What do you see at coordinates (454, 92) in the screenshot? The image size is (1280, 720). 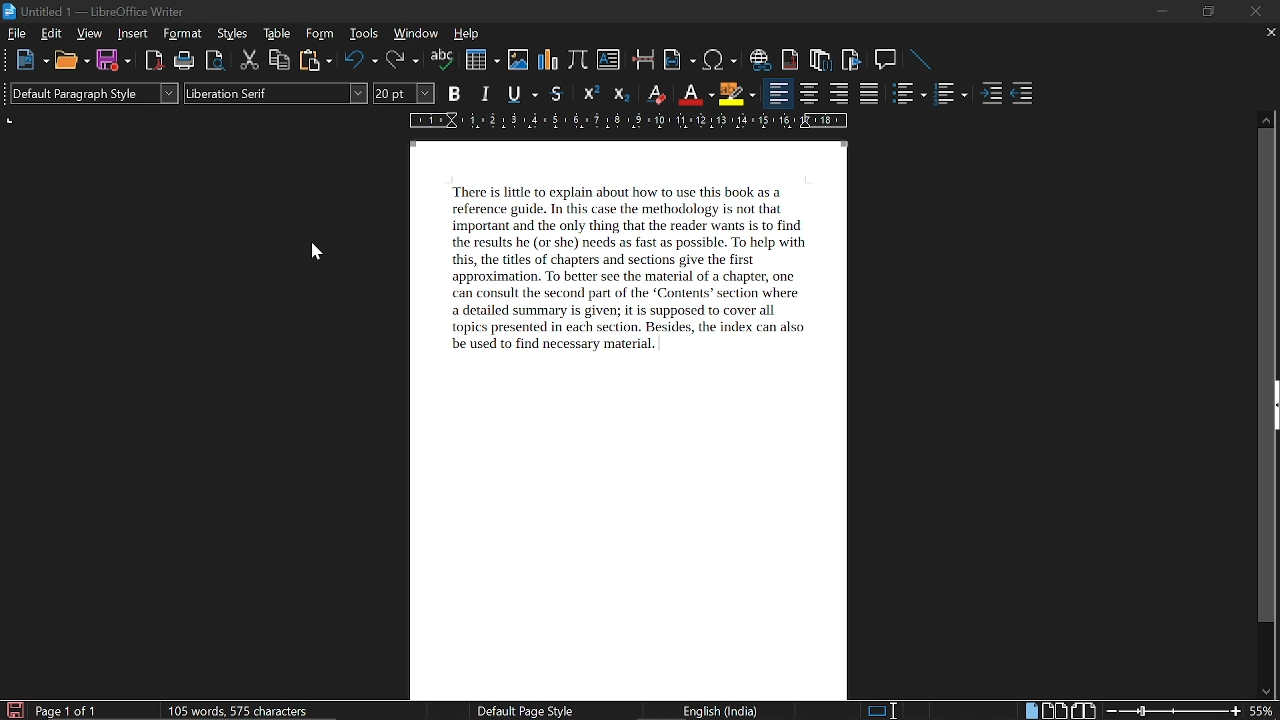 I see `bold` at bounding box center [454, 92].